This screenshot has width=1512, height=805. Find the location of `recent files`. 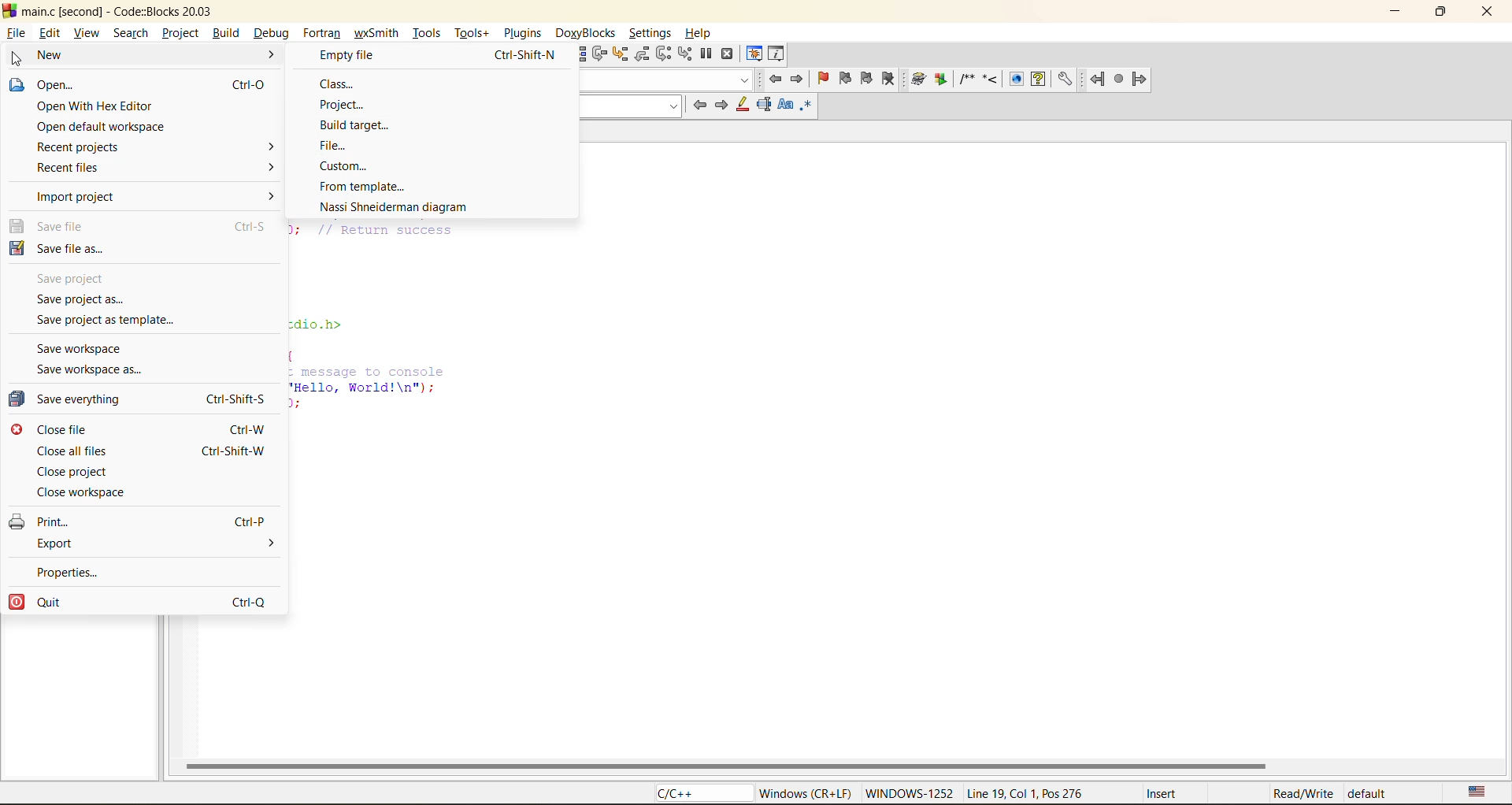

recent files is located at coordinates (78, 167).